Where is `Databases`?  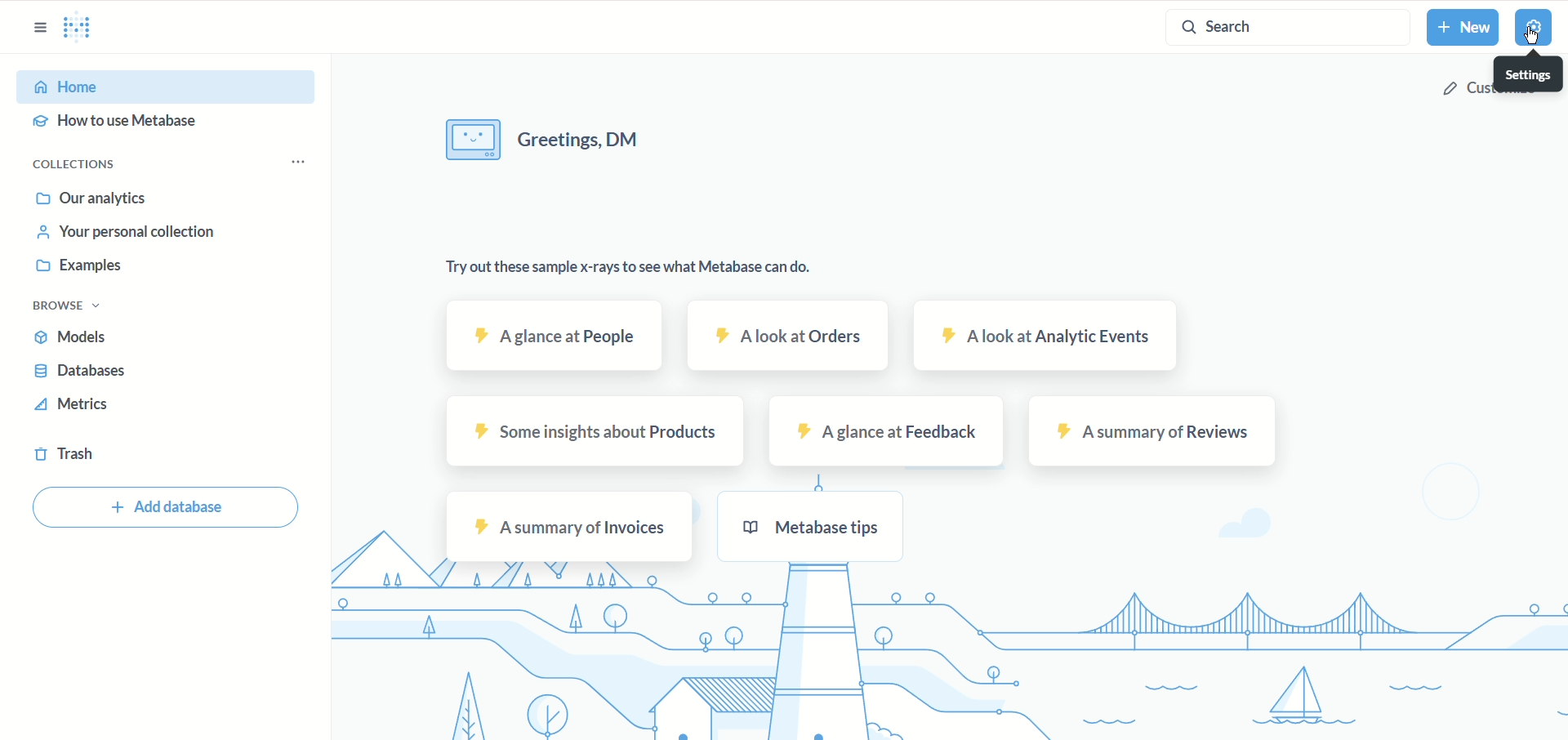
Databases is located at coordinates (100, 371).